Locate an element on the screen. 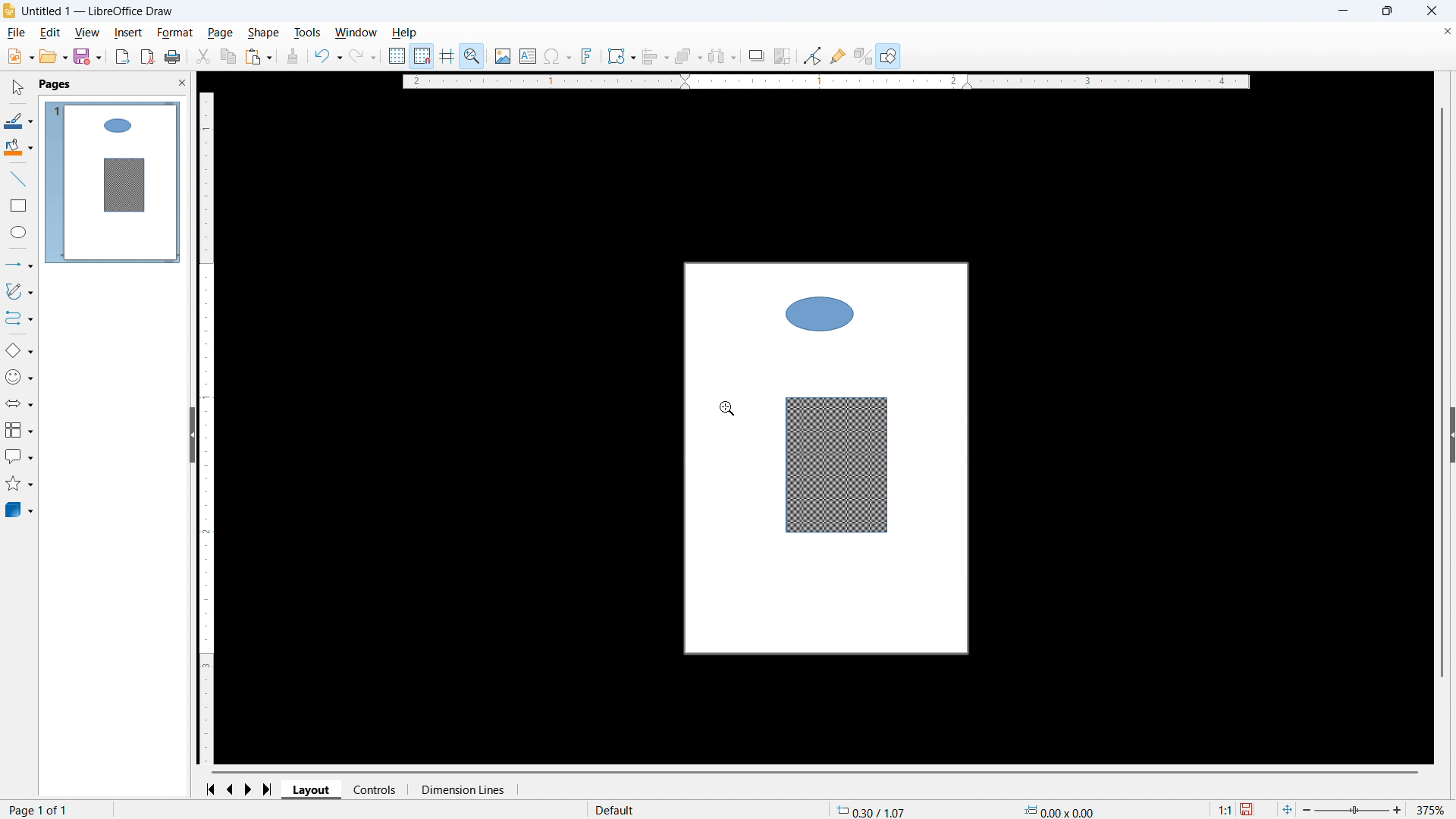  Hide panel  is located at coordinates (191, 434).